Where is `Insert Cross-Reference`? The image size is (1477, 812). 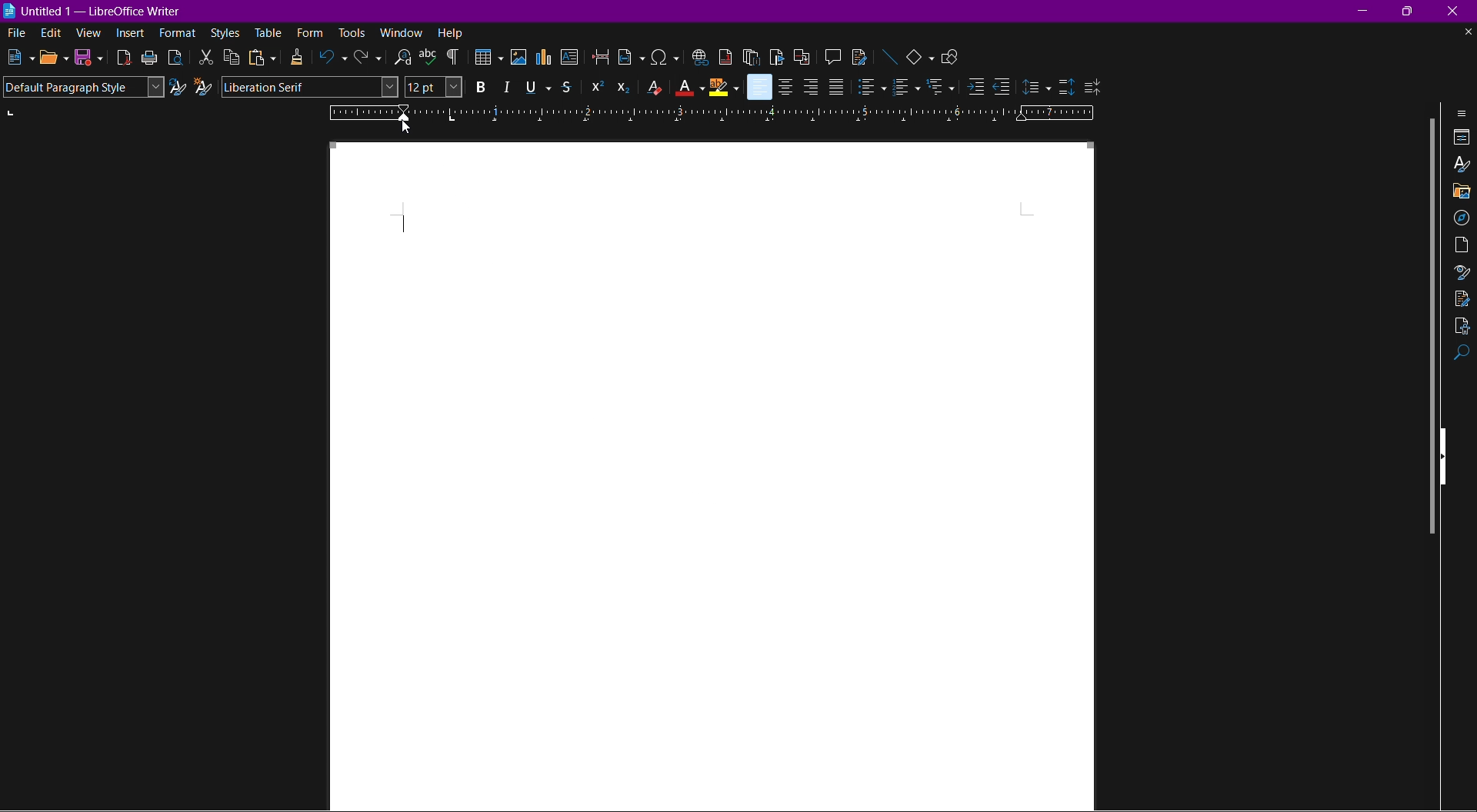
Insert Cross-Reference is located at coordinates (799, 55).